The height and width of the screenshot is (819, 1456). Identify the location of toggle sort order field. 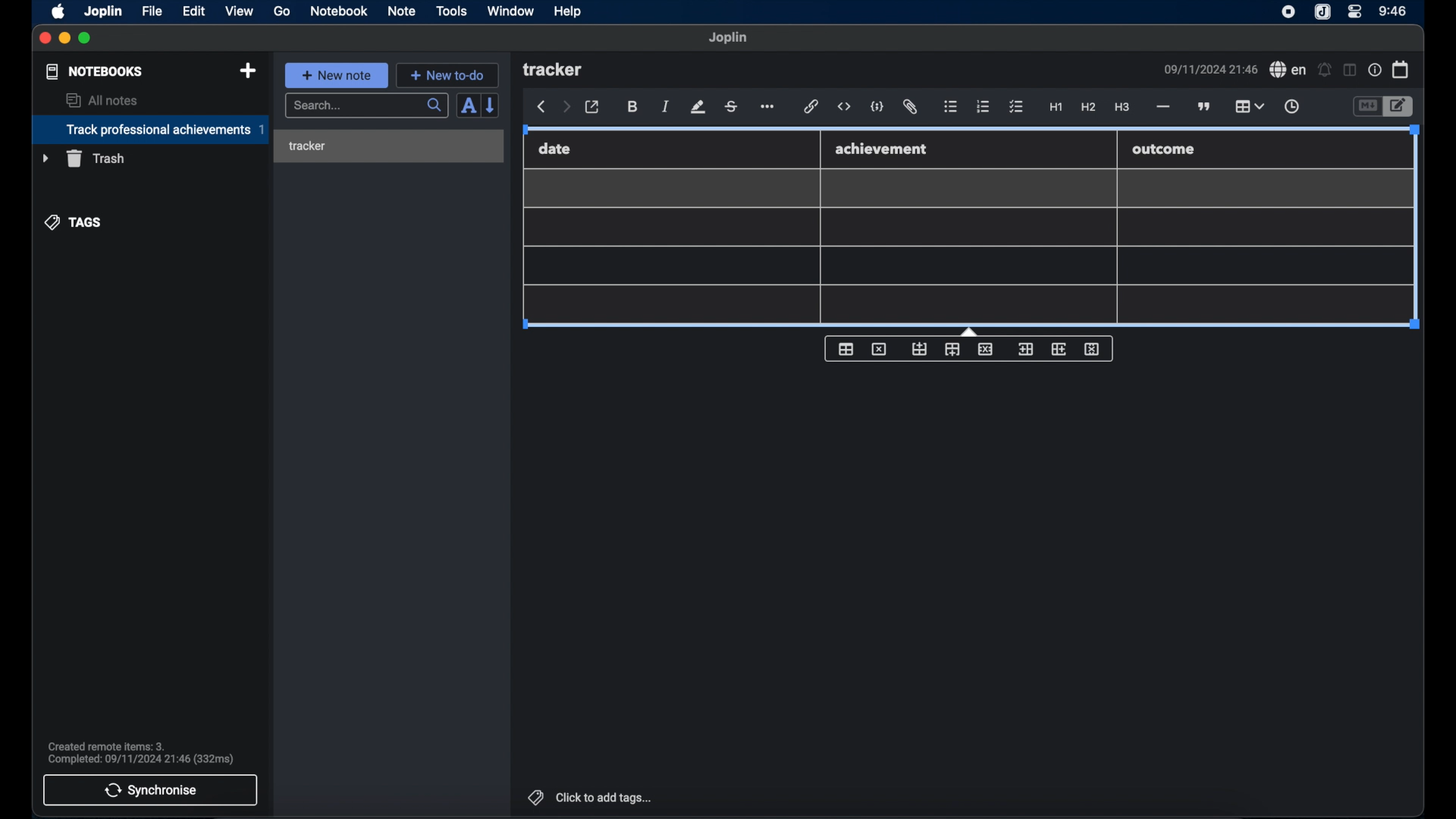
(466, 107).